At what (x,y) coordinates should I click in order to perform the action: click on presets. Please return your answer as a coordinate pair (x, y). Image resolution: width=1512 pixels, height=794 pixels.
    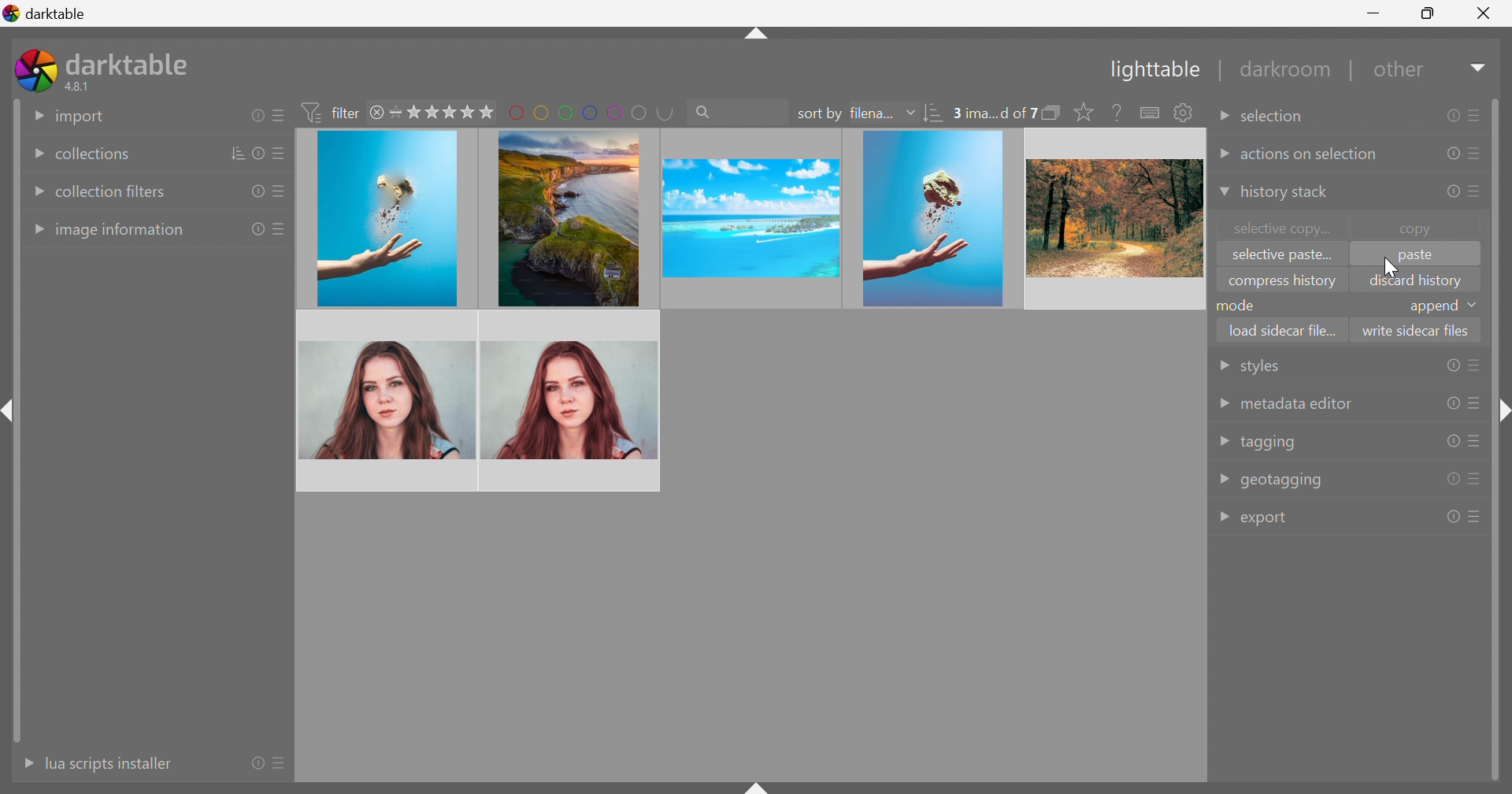
    Looking at the image, I should click on (1476, 441).